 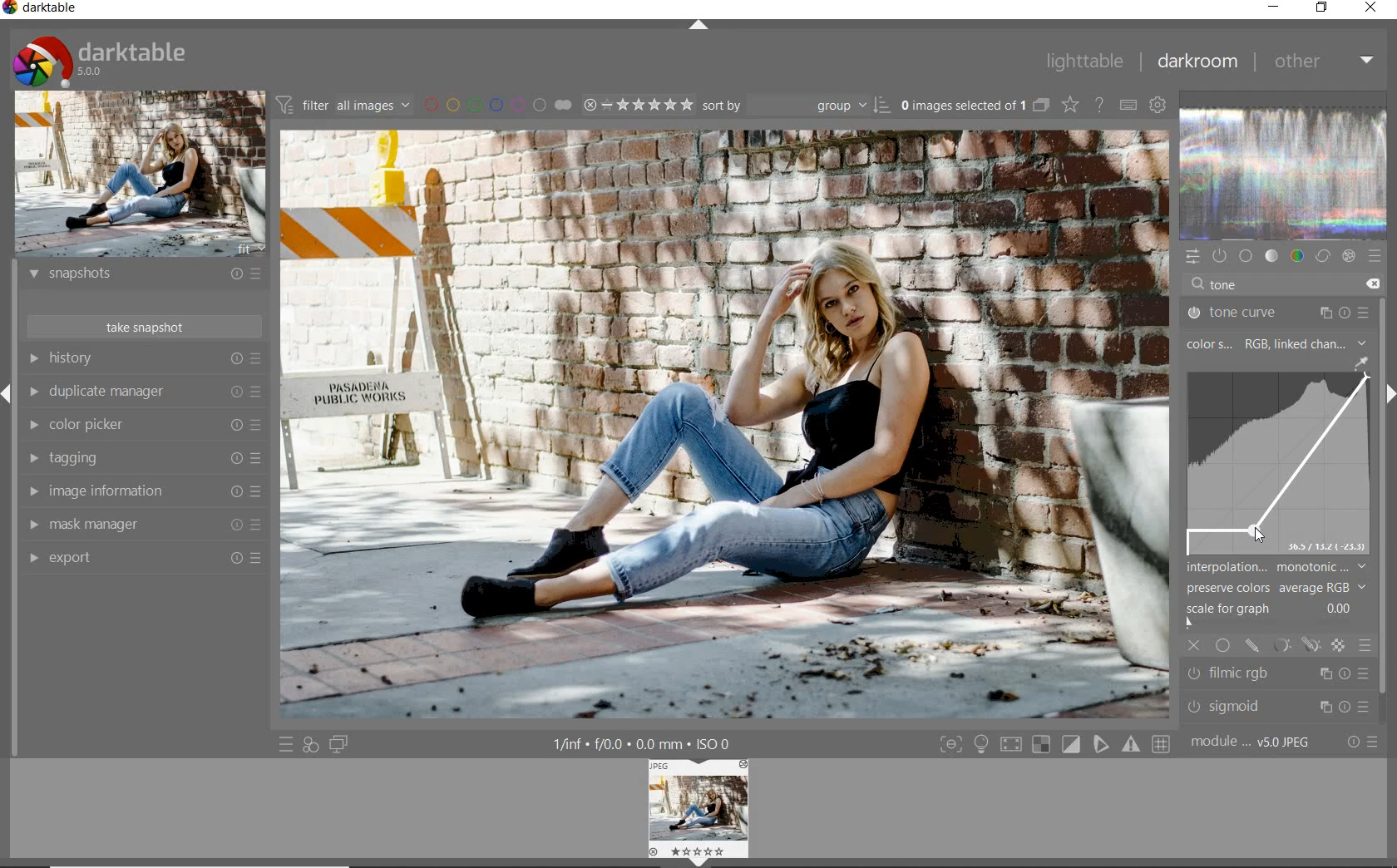 I want to click on image information, so click(x=143, y=491).